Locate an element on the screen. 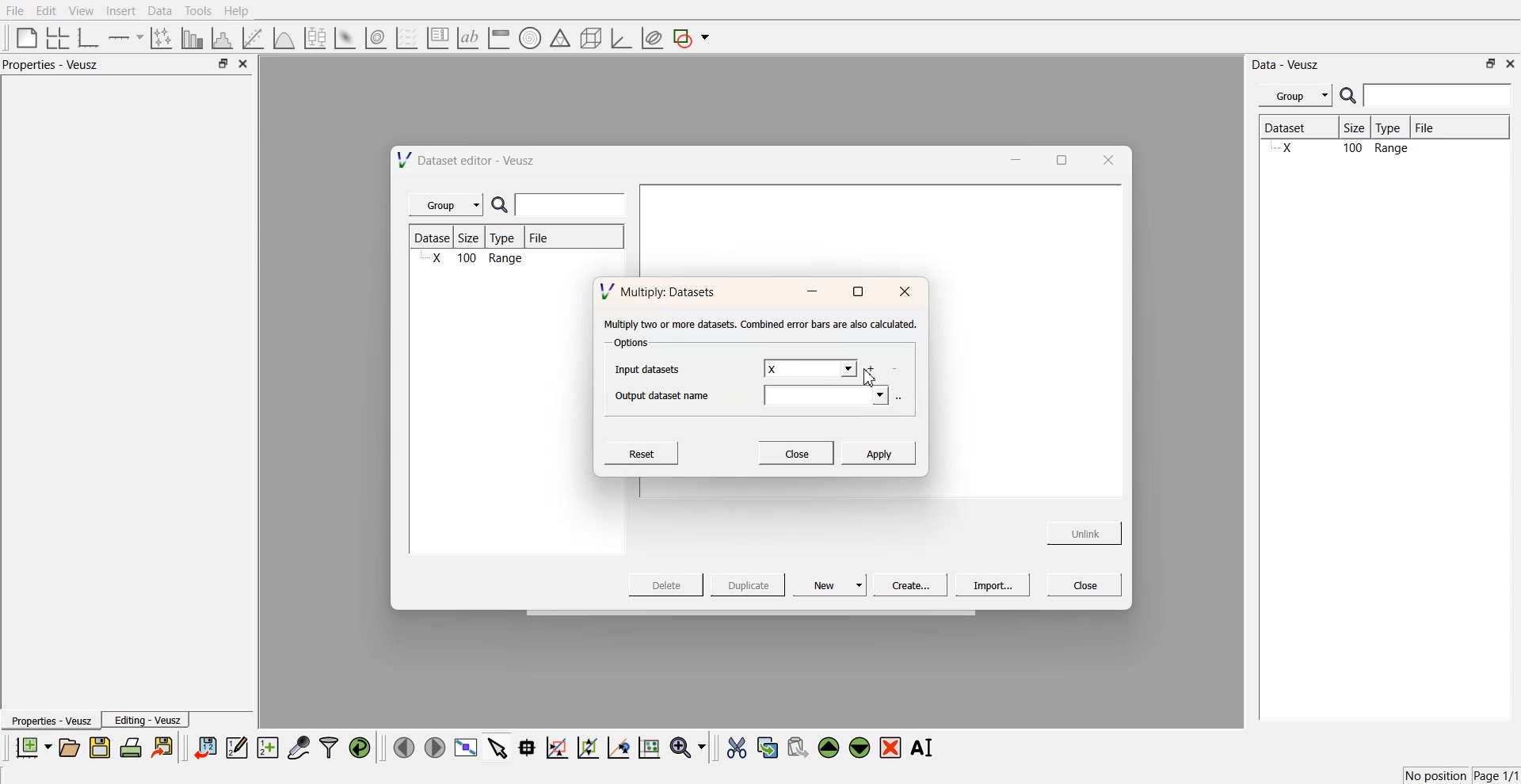 The width and height of the screenshot is (1521, 784). search icon is located at coordinates (503, 206).